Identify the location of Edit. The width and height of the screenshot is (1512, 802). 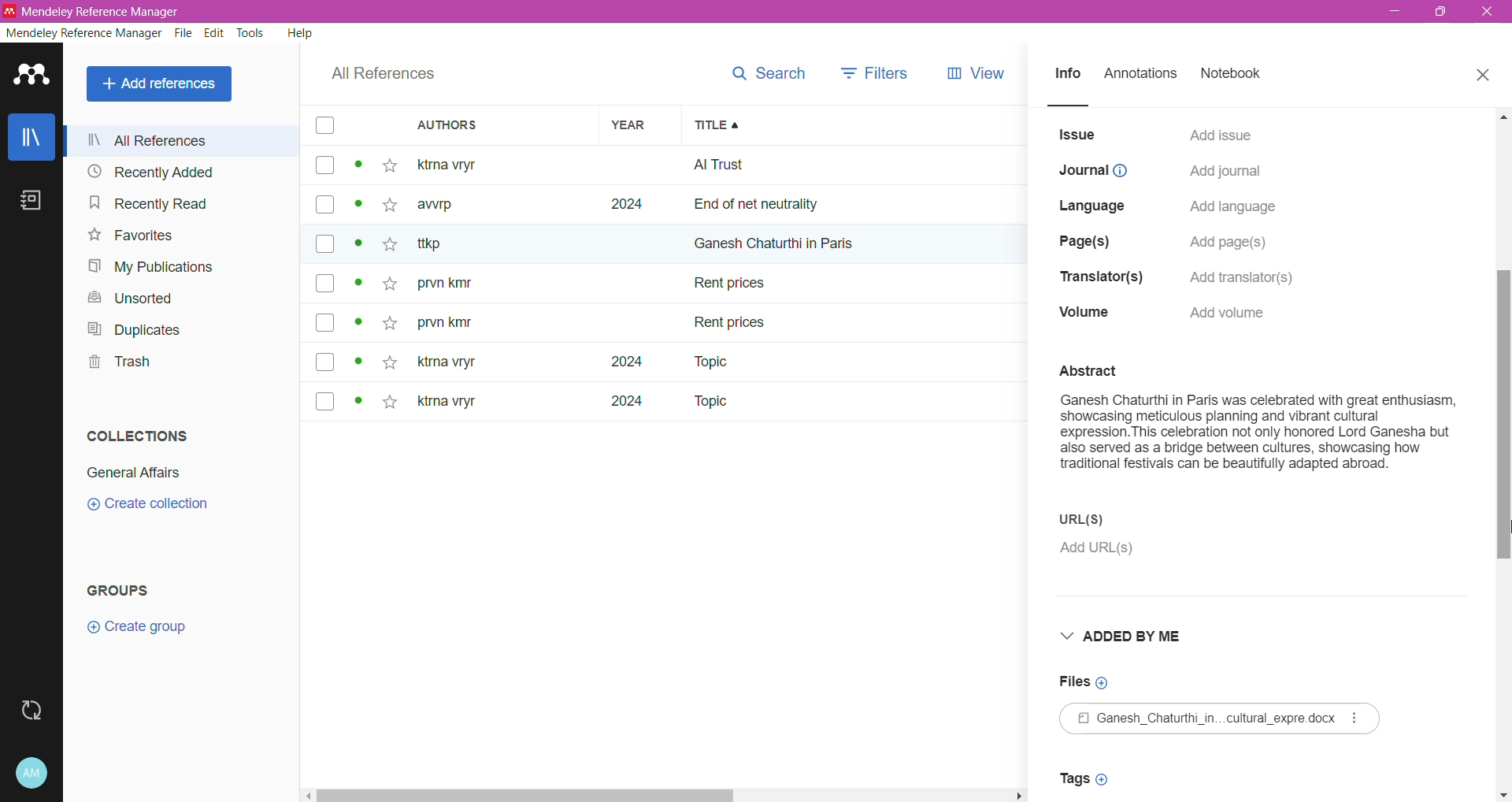
(215, 34).